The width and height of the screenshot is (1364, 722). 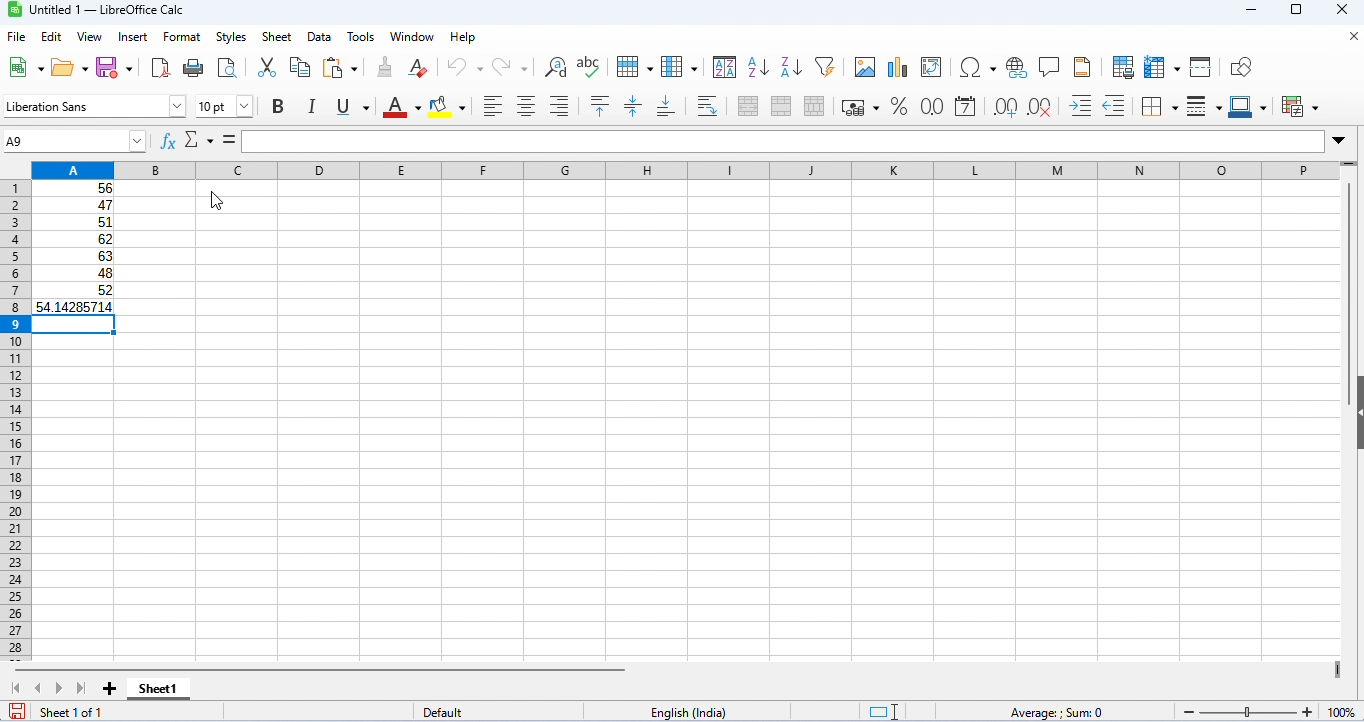 What do you see at coordinates (182, 38) in the screenshot?
I see `format` at bounding box center [182, 38].